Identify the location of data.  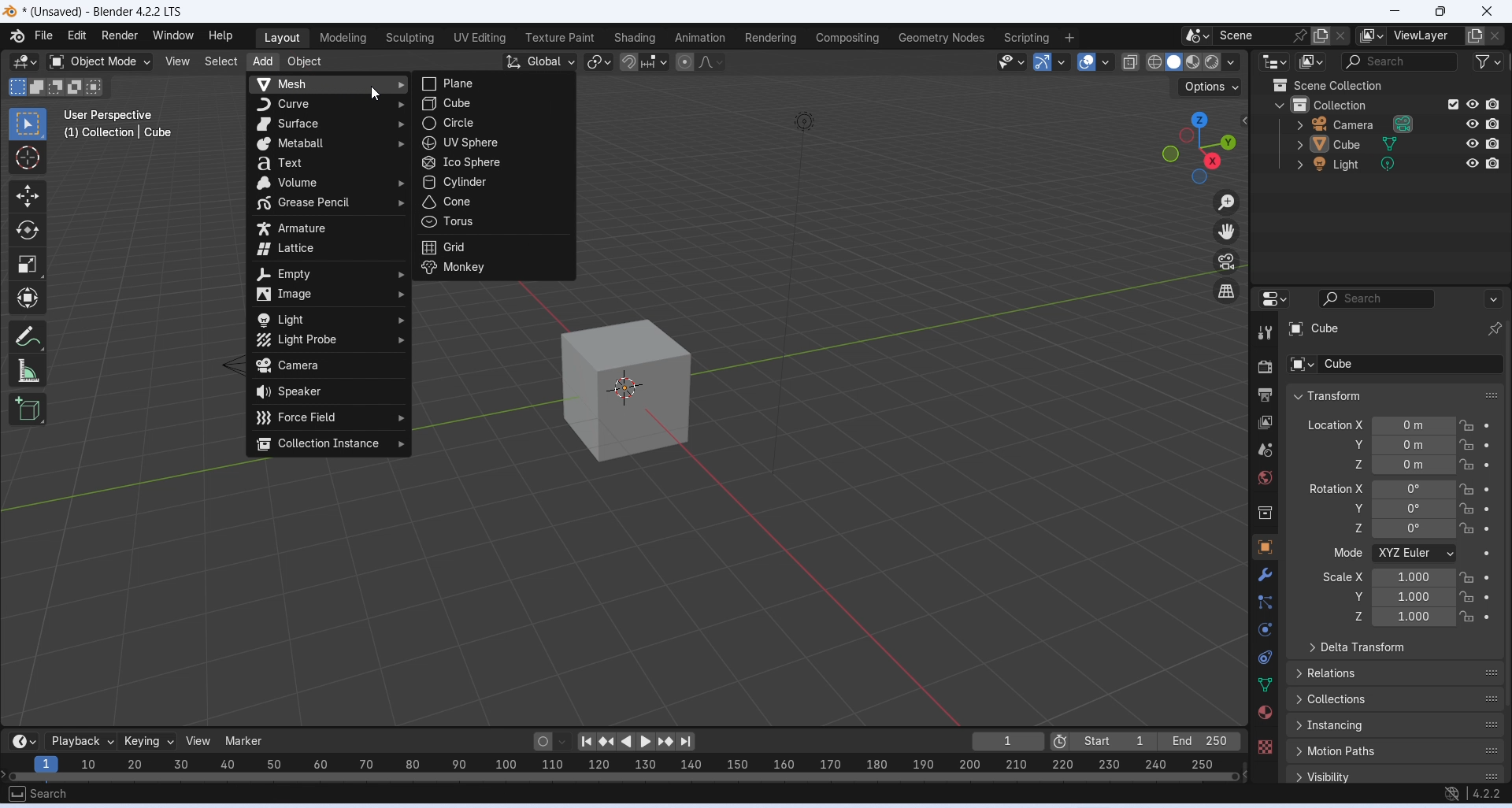
(1266, 684).